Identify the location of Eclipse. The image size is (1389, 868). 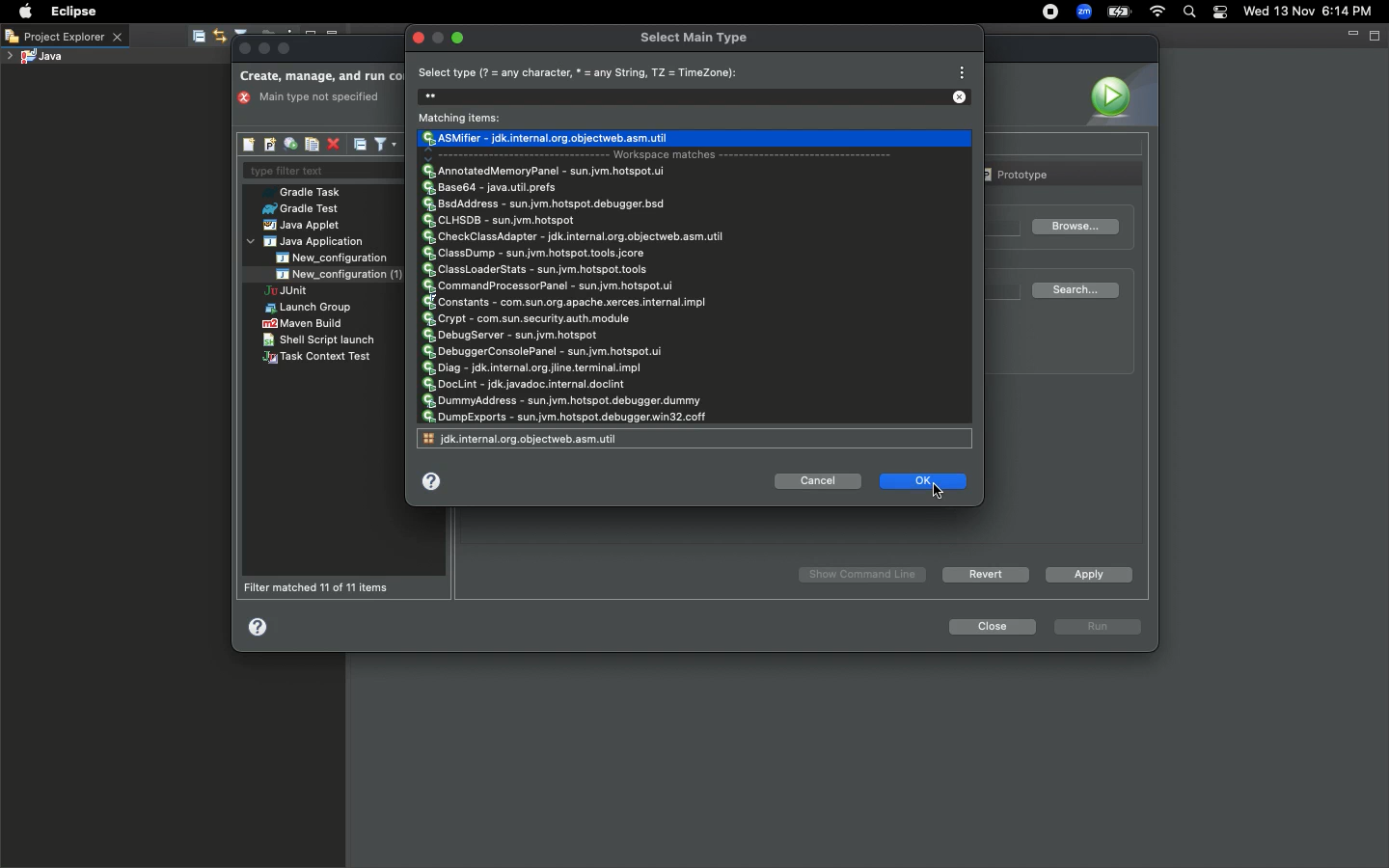
(71, 12).